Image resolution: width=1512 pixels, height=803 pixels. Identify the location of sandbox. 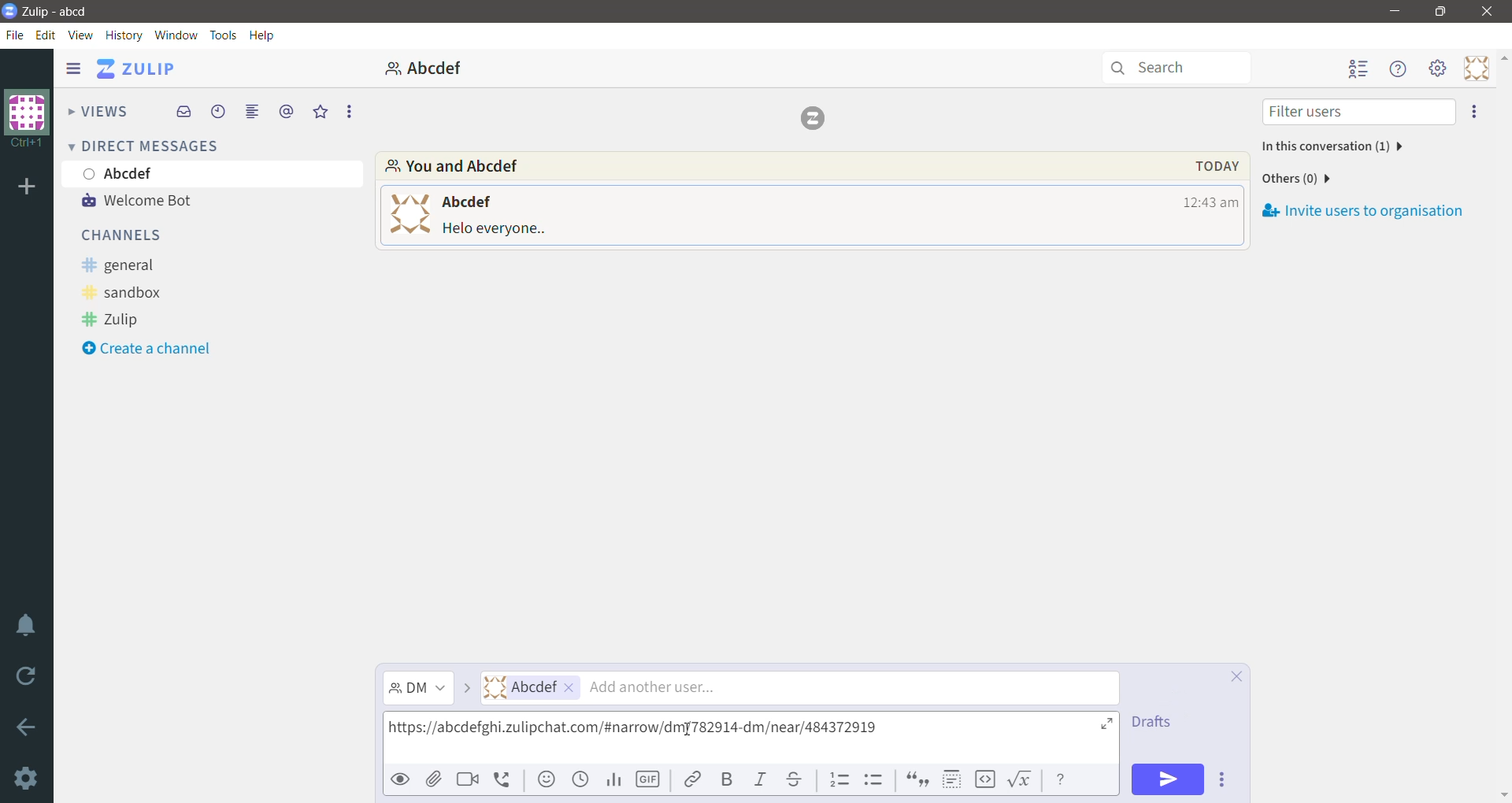
(132, 292).